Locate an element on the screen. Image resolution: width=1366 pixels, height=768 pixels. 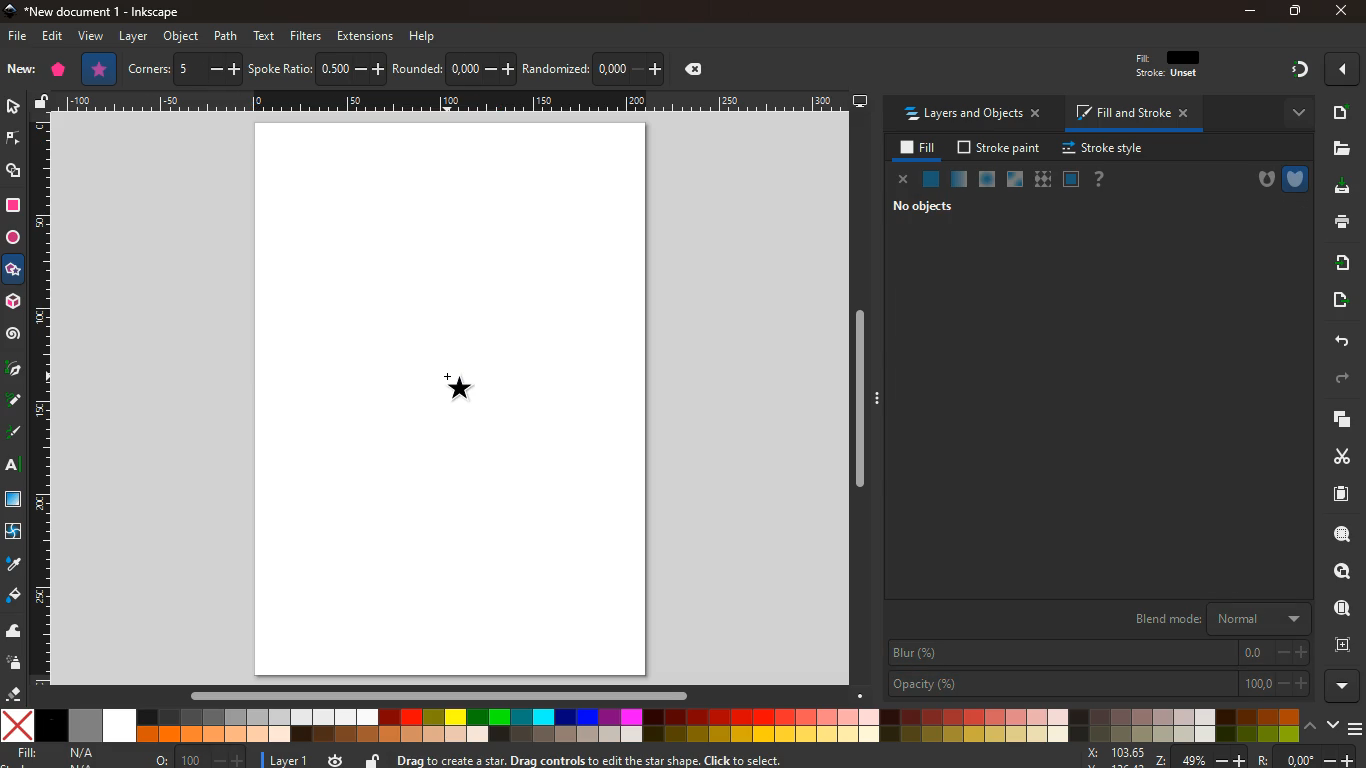
twist is located at coordinates (15, 533).